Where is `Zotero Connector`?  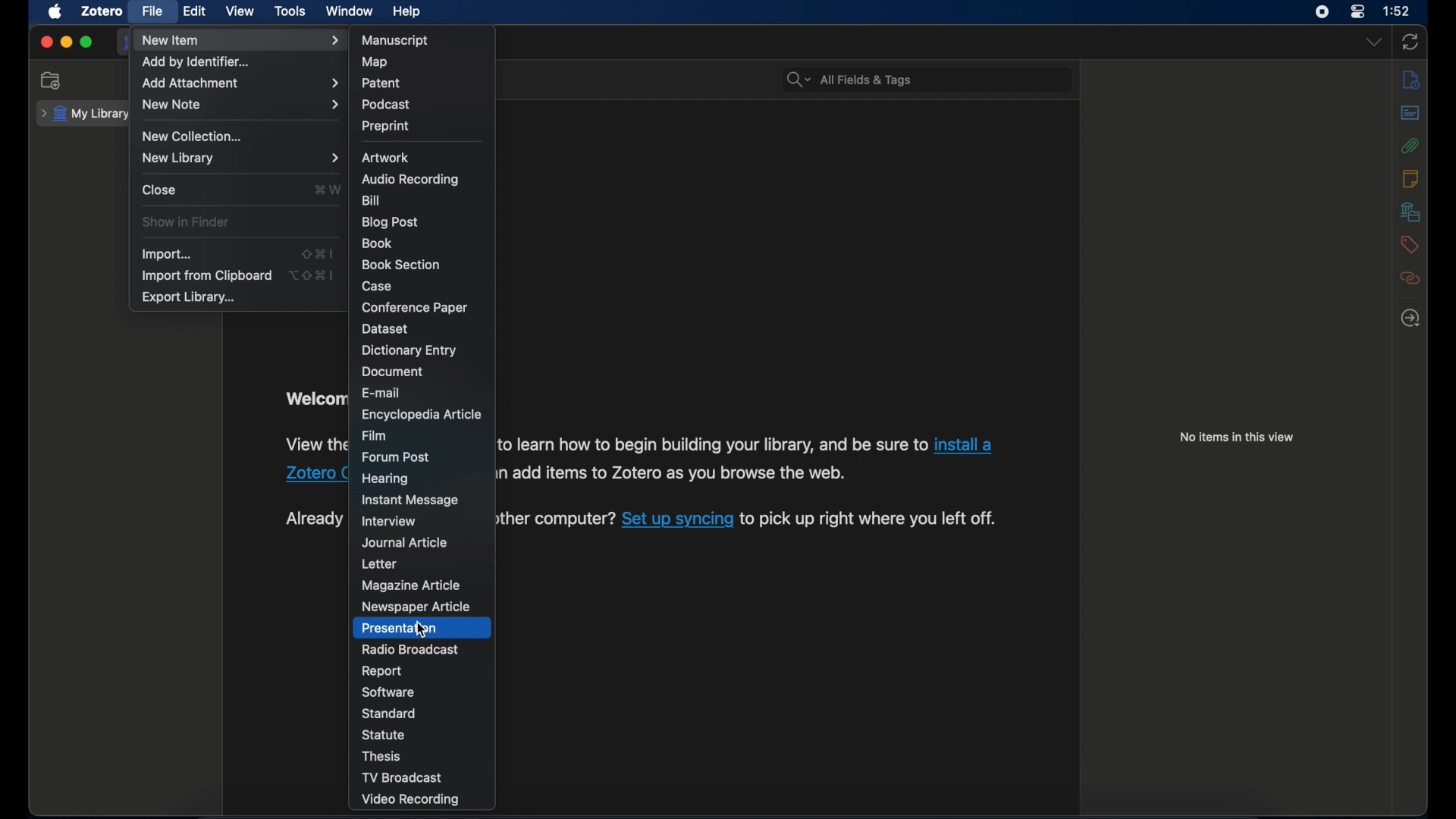
Zotero Connector is located at coordinates (316, 472).